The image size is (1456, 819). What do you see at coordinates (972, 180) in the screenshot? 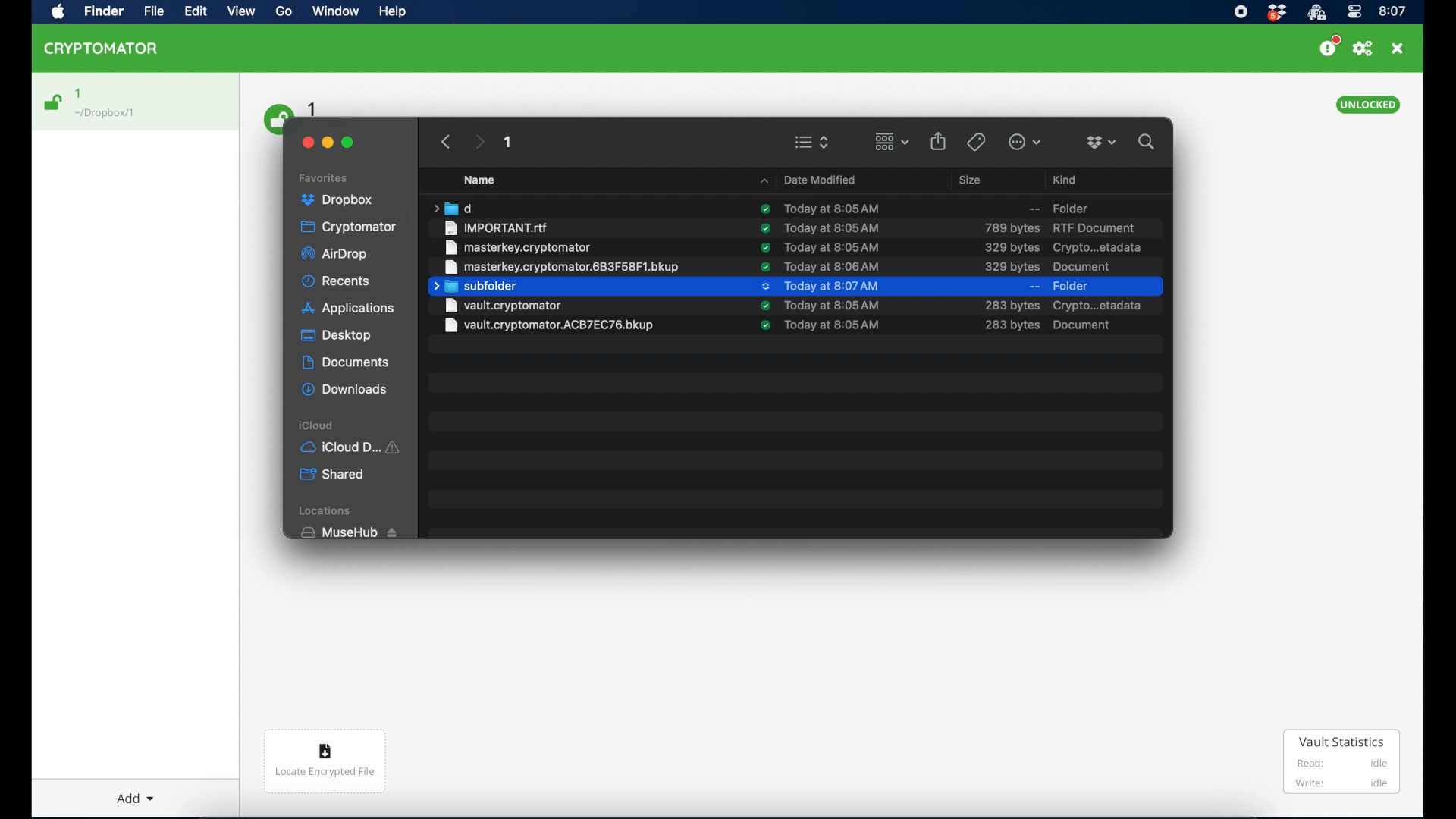
I see `size` at bounding box center [972, 180].